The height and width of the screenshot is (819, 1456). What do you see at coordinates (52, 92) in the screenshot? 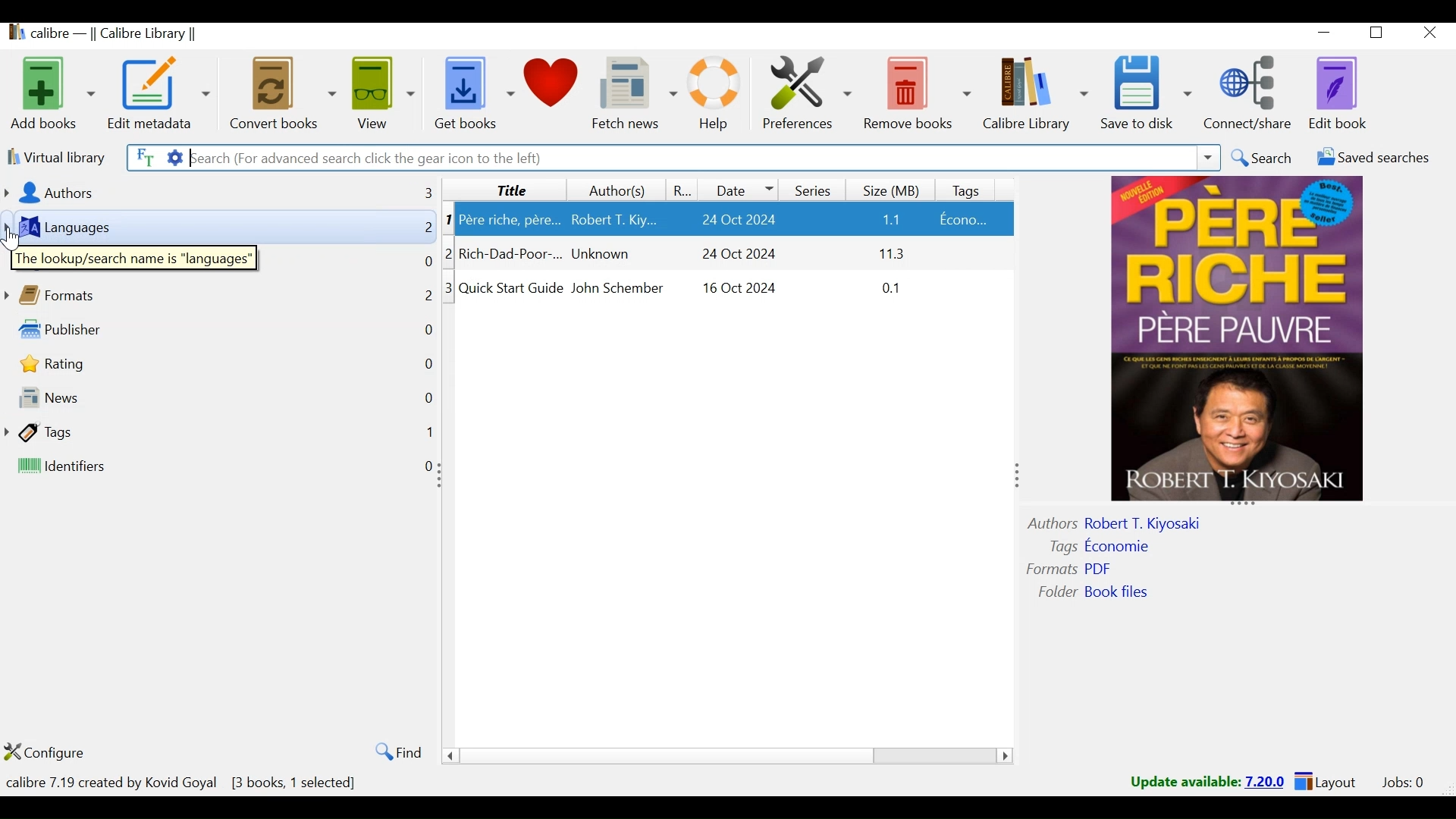
I see `Add Books` at bounding box center [52, 92].